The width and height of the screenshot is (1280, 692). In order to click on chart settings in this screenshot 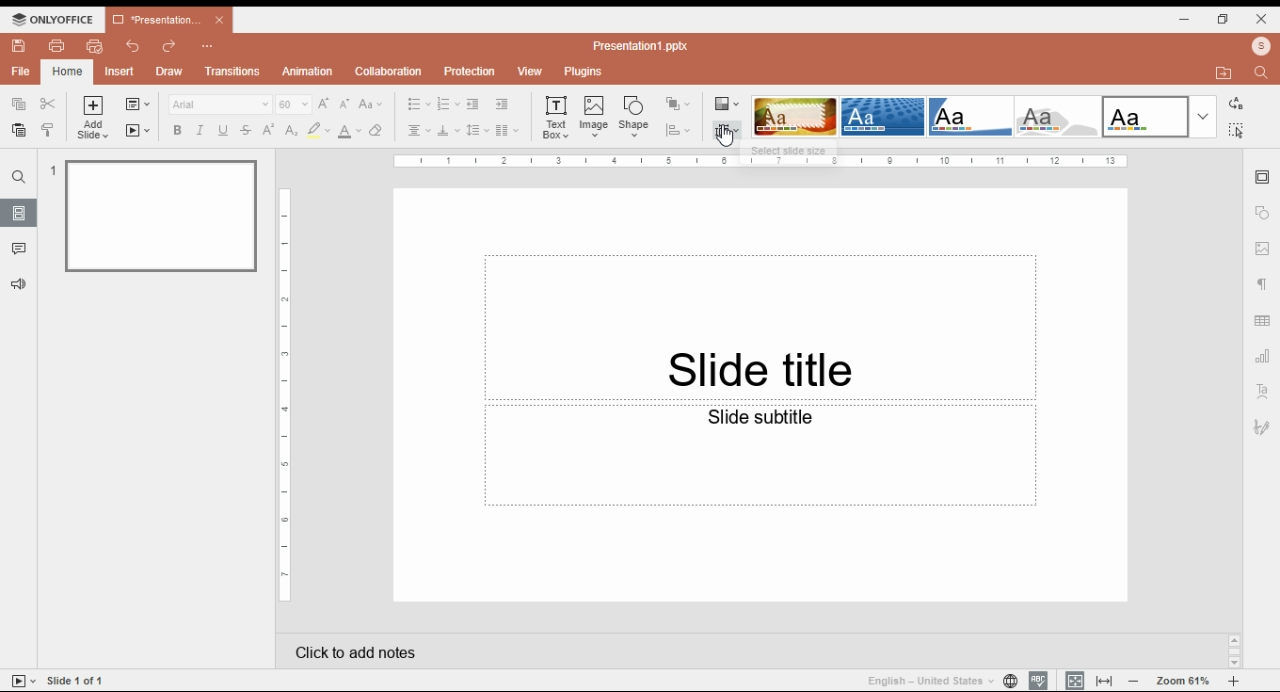, I will do `click(1264, 356)`.